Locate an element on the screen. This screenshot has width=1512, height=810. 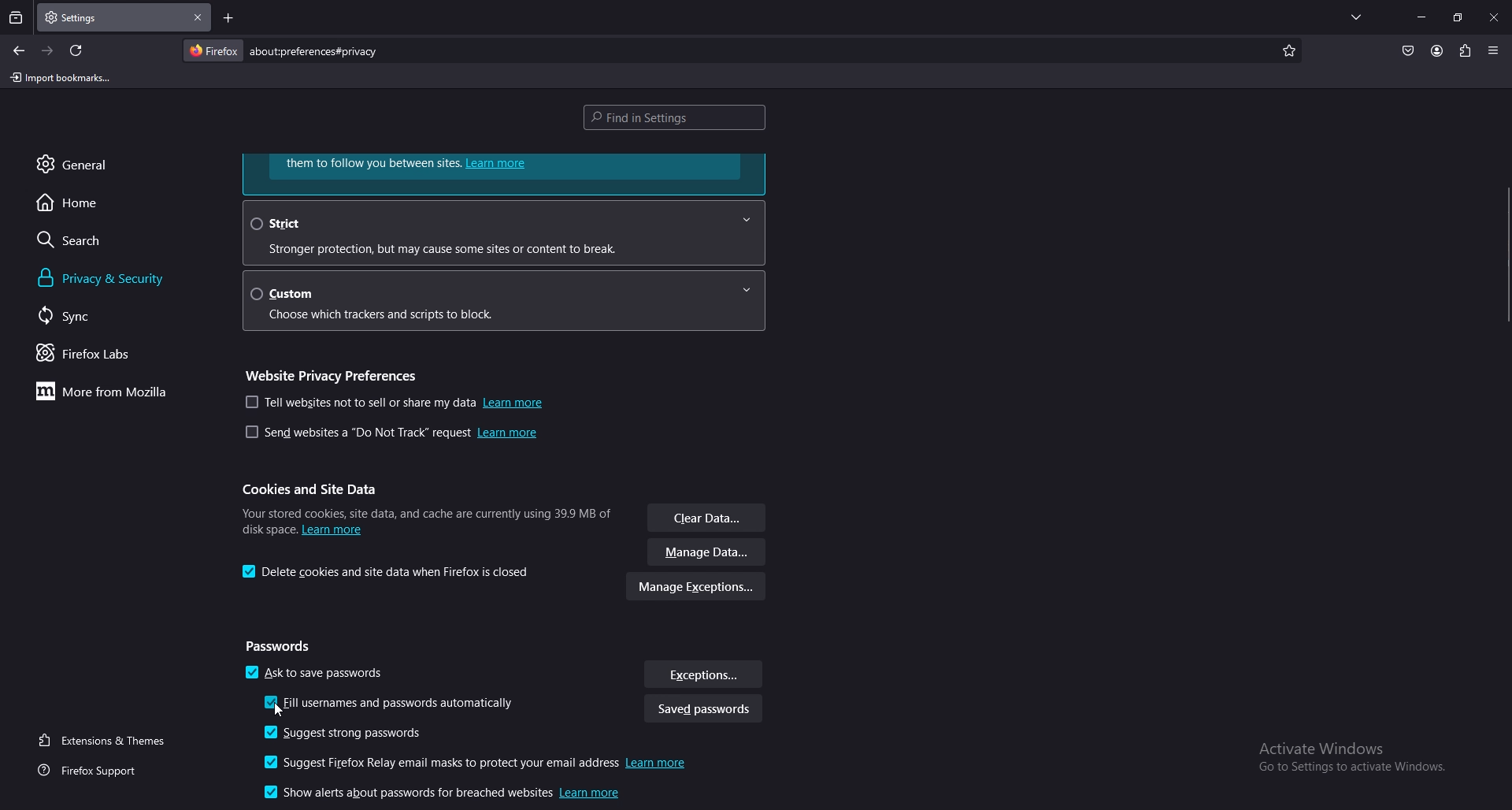
find in settings is located at coordinates (679, 116).